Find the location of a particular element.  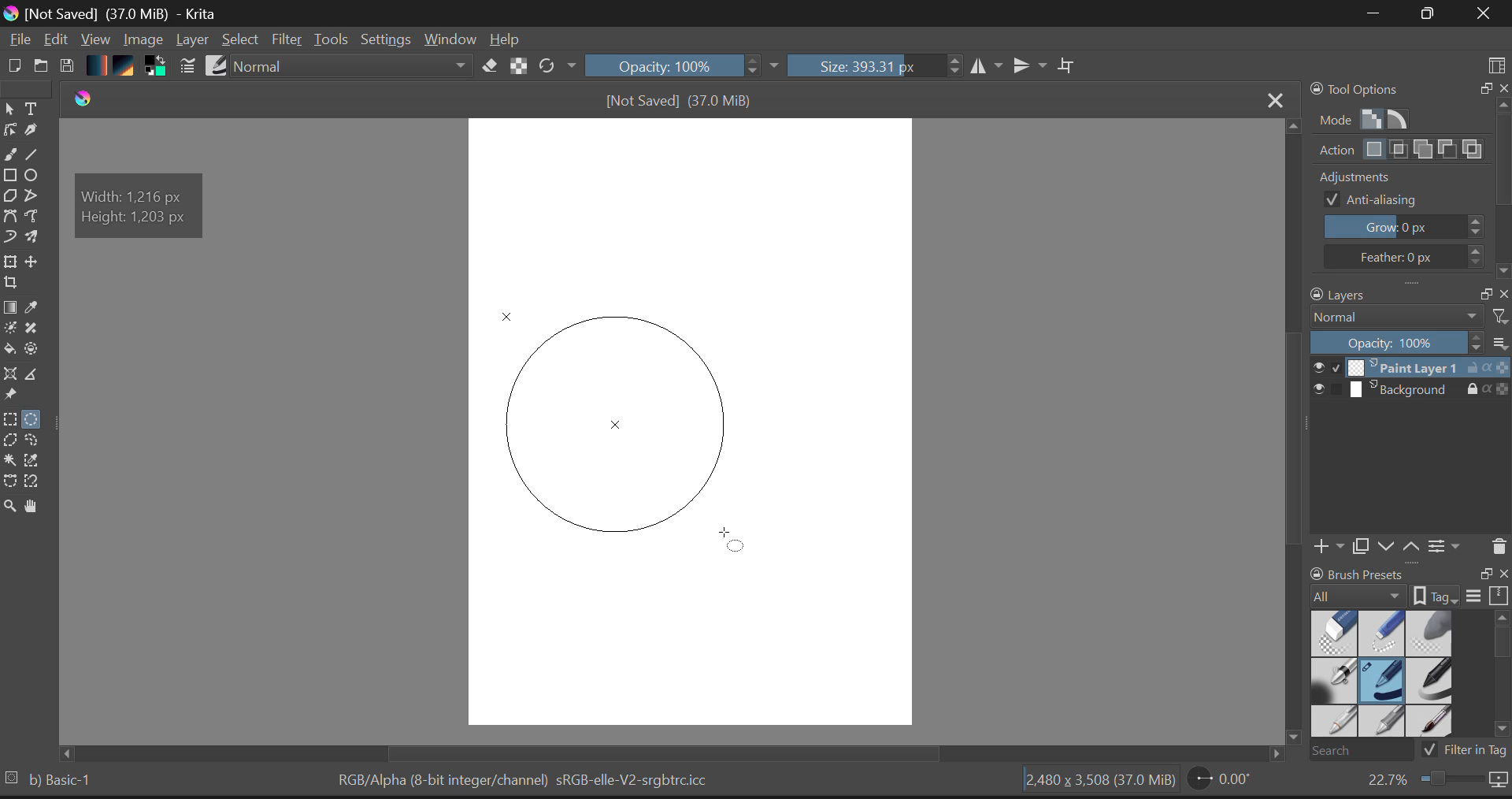

Layers Docker is located at coordinates (1403, 423).